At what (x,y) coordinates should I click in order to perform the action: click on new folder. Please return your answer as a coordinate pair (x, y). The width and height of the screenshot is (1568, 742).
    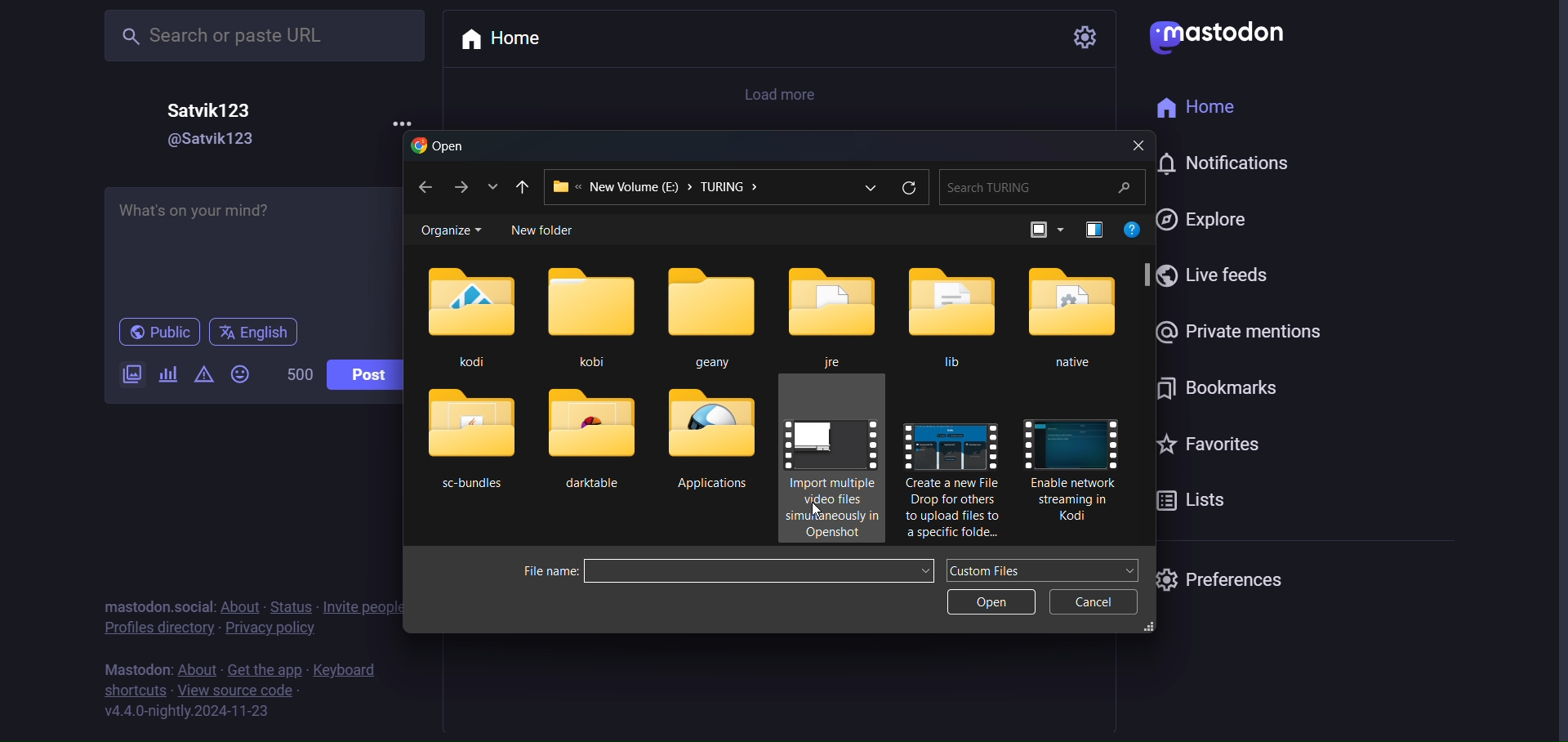
    Looking at the image, I should click on (549, 231).